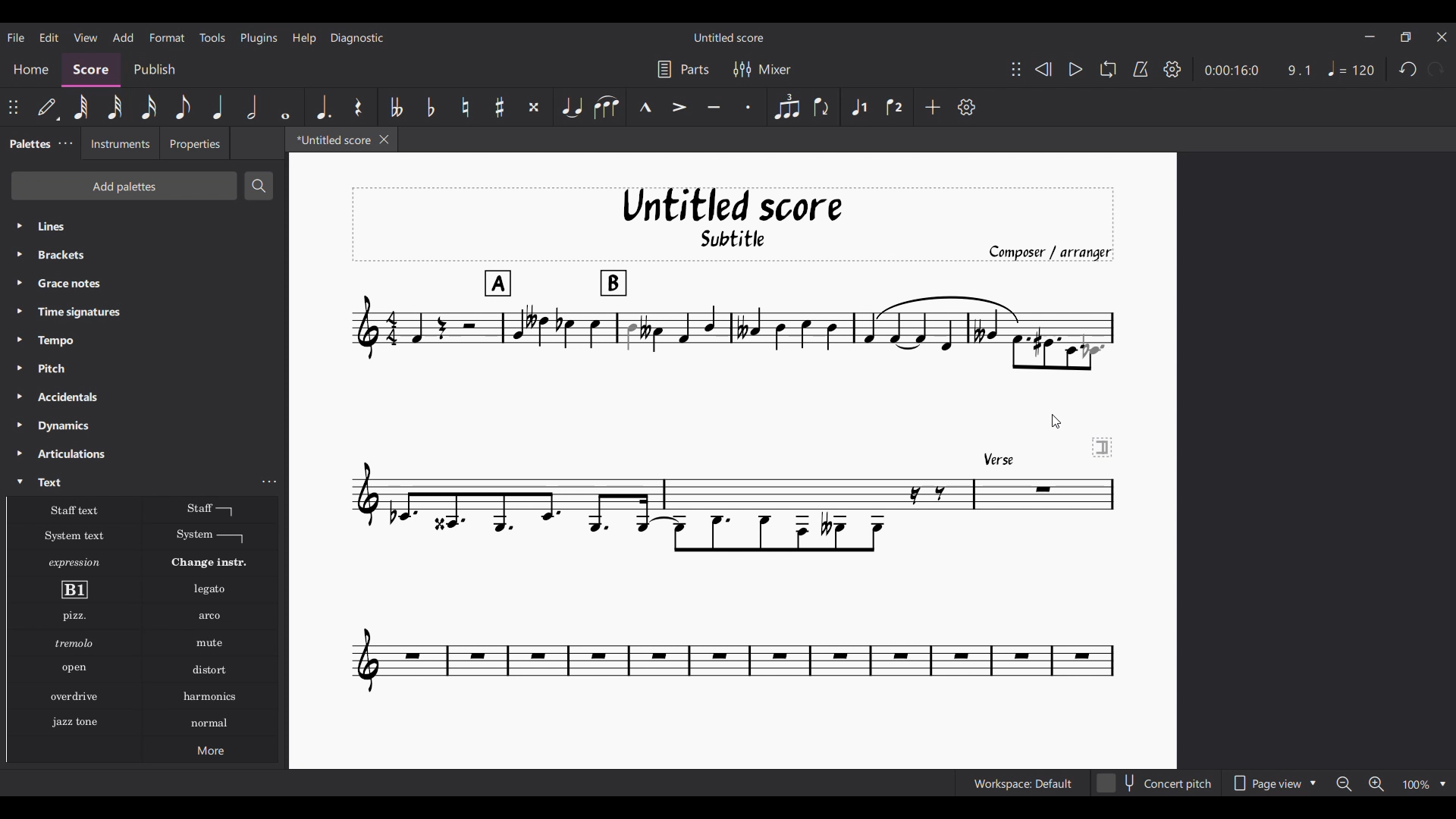  What do you see at coordinates (212, 37) in the screenshot?
I see `Tools menu` at bounding box center [212, 37].